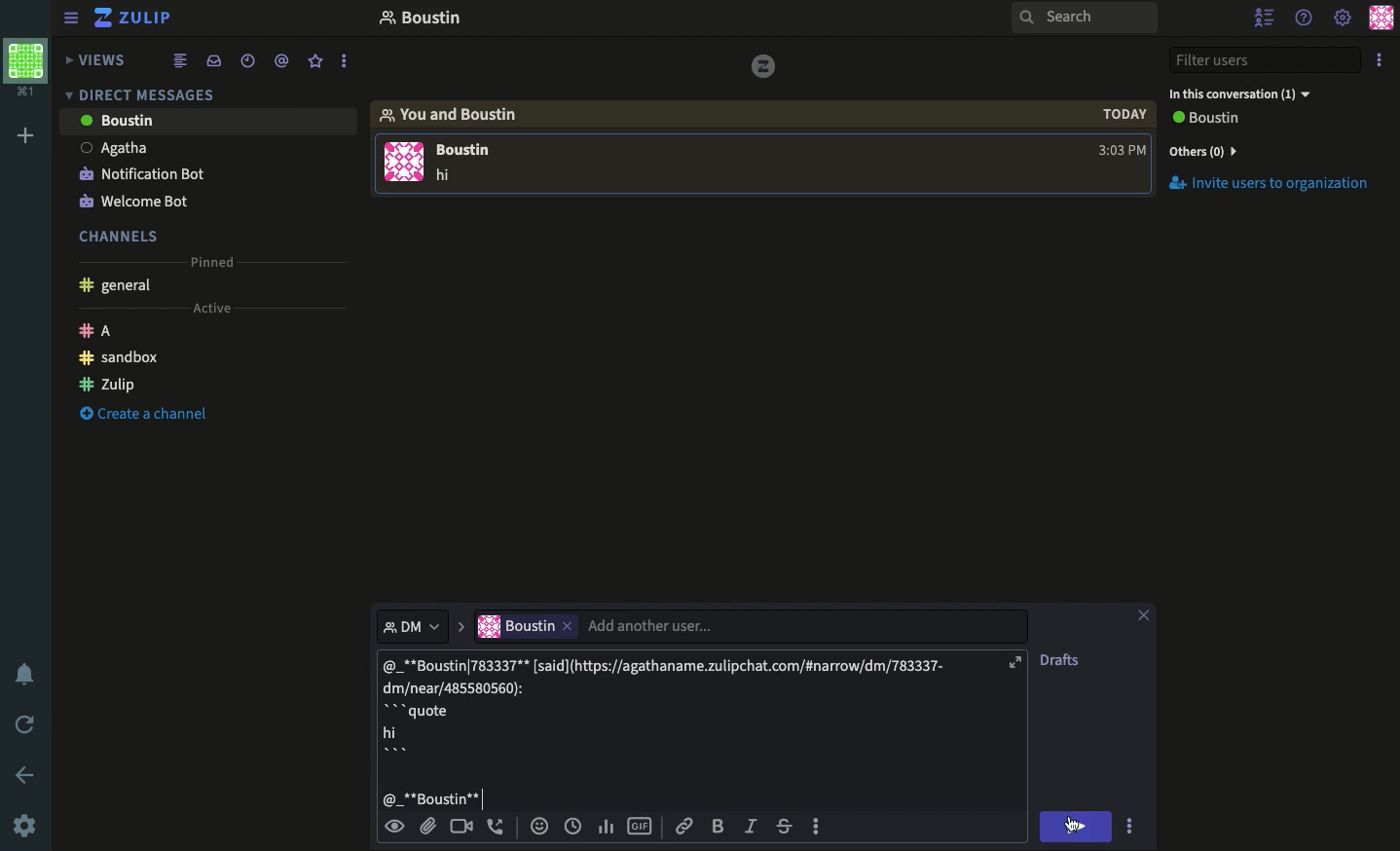 The image size is (1400, 851). Describe the element at coordinates (427, 827) in the screenshot. I see `Attachment` at that location.